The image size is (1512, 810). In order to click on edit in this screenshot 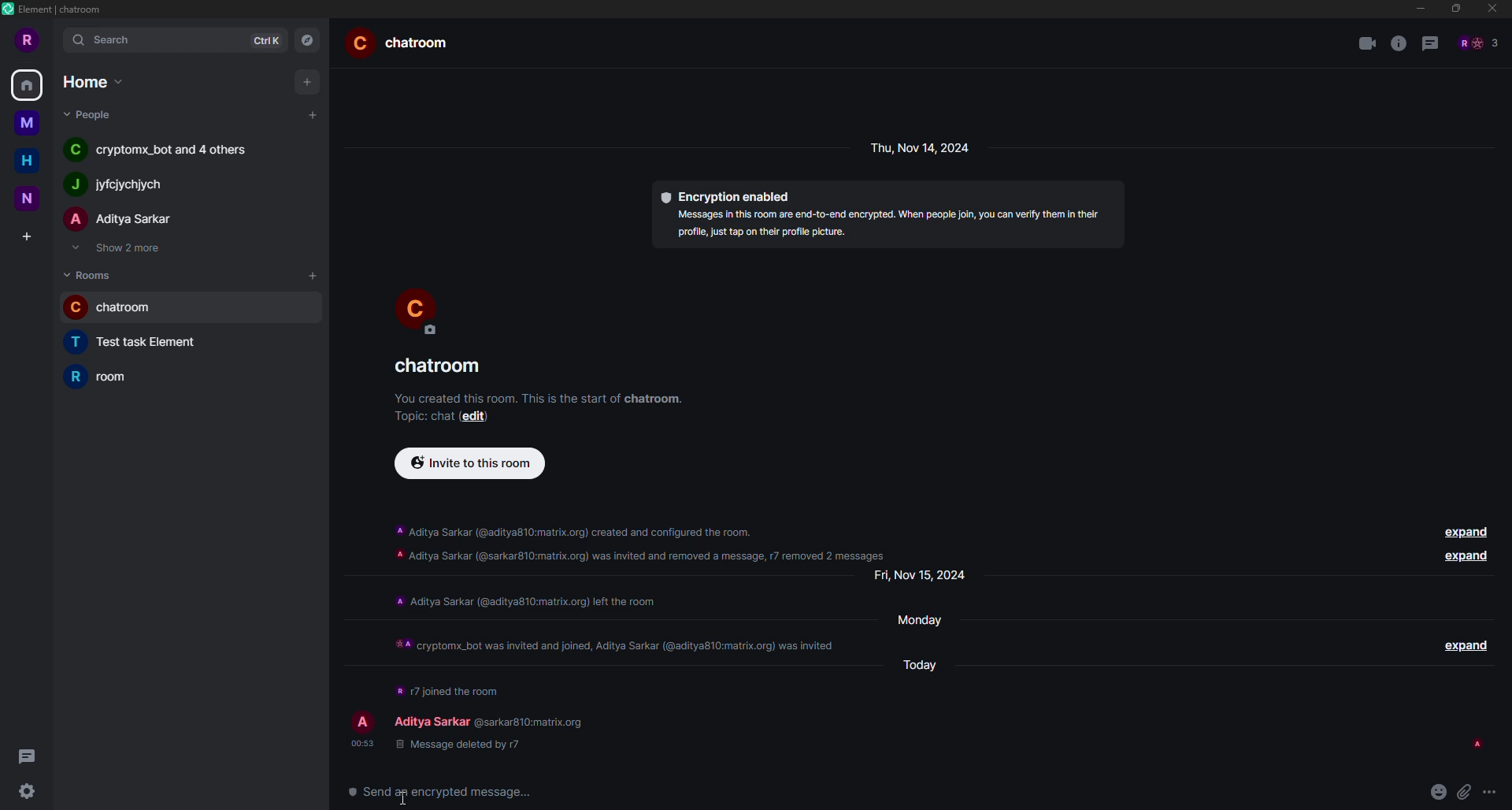, I will do `click(480, 417)`.